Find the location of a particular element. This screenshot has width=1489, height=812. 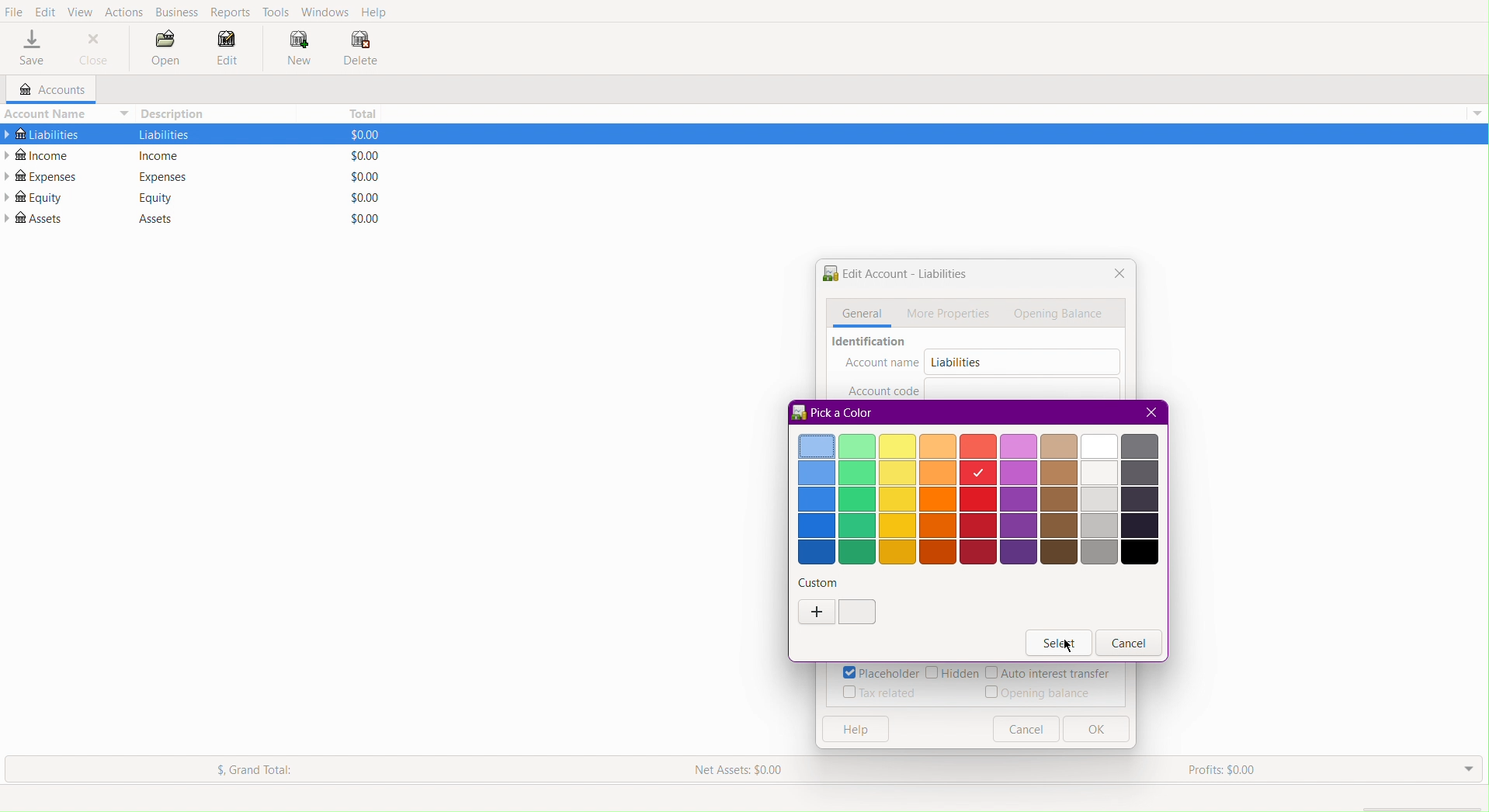

Edit is located at coordinates (45, 10).